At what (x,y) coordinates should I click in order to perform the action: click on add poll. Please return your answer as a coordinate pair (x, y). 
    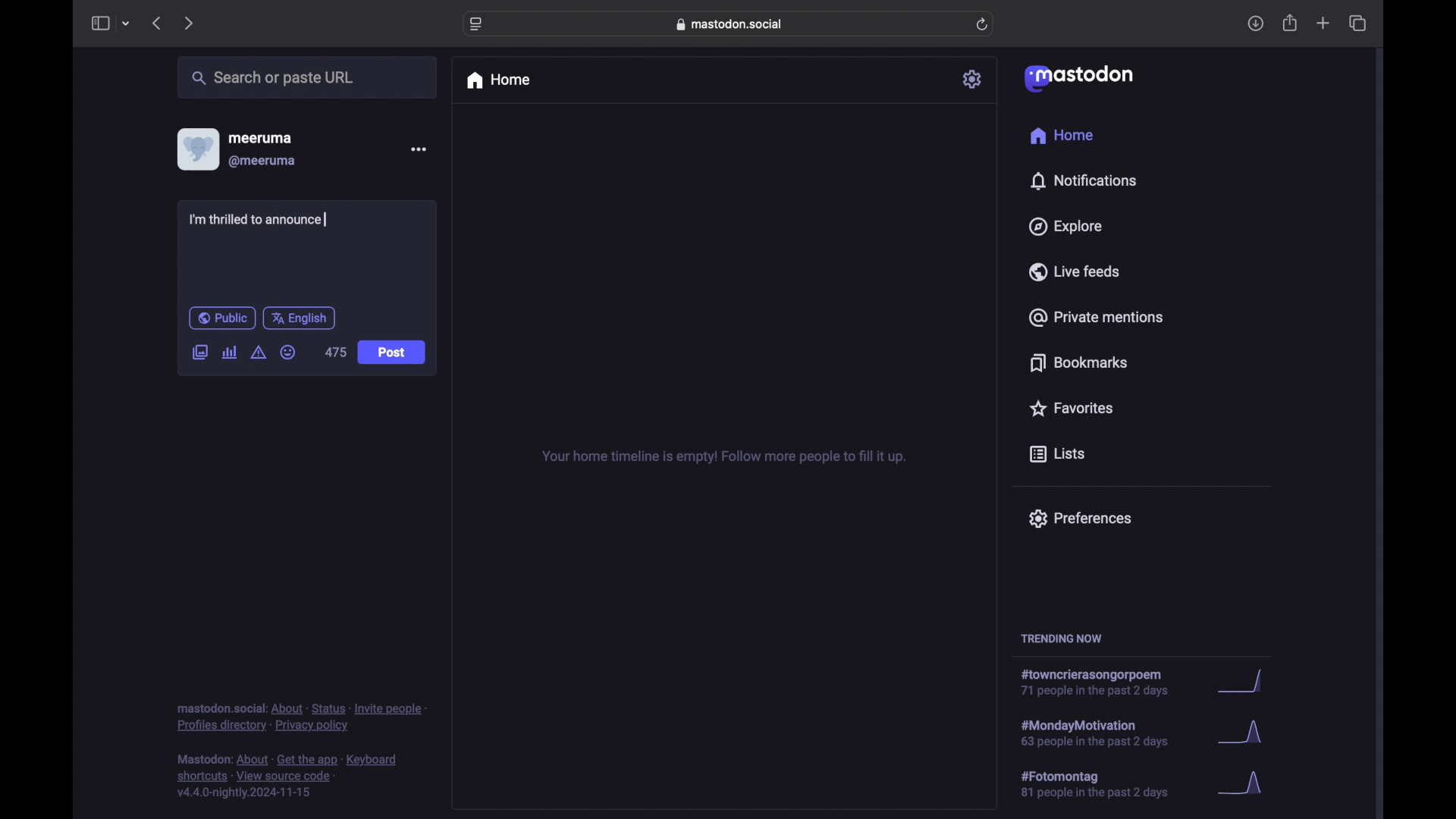
    Looking at the image, I should click on (231, 353).